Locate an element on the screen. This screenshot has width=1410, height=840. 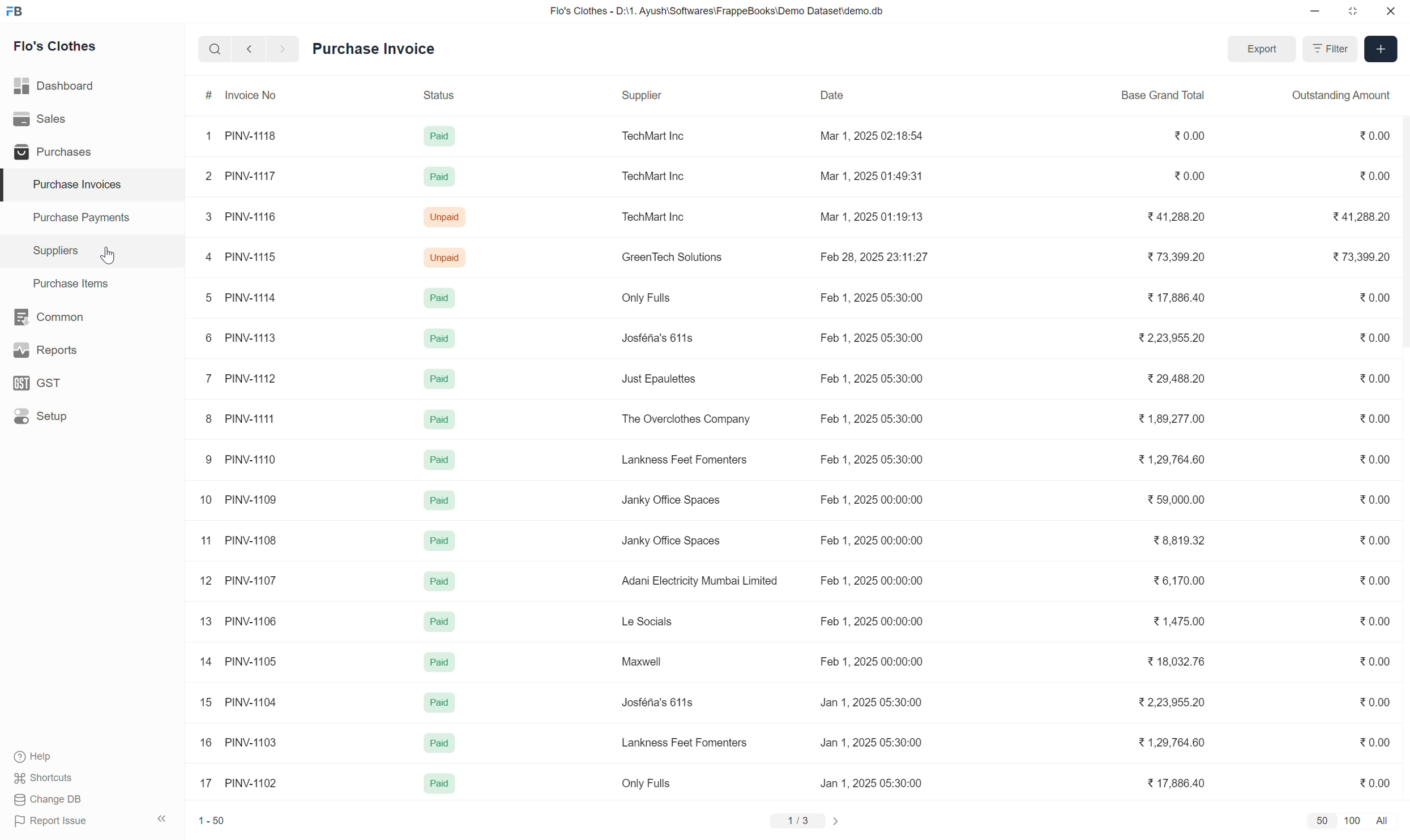
%1,29,764.60 is located at coordinates (1176, 742).